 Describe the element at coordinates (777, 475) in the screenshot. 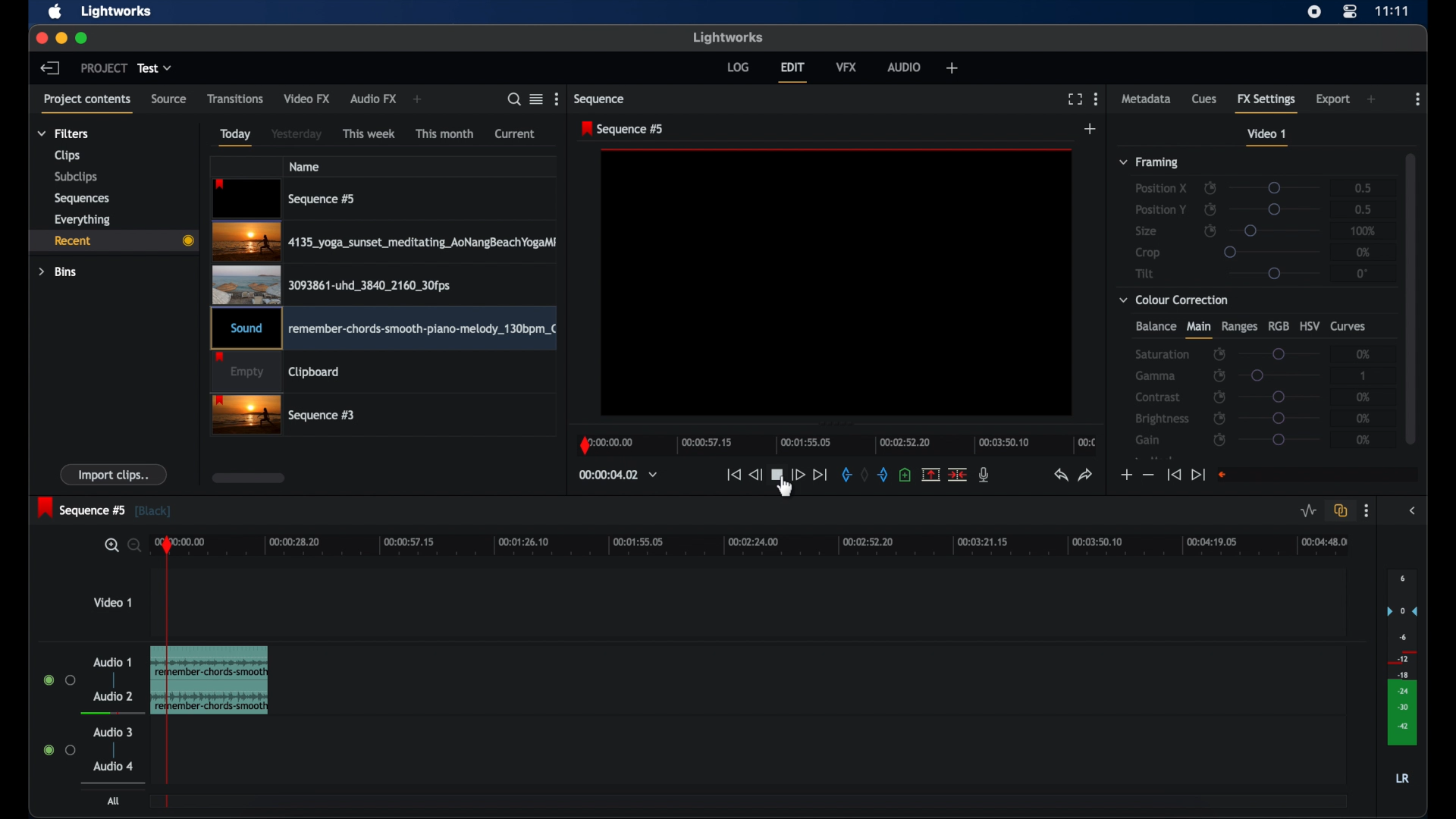

I see `pause ` at that location.